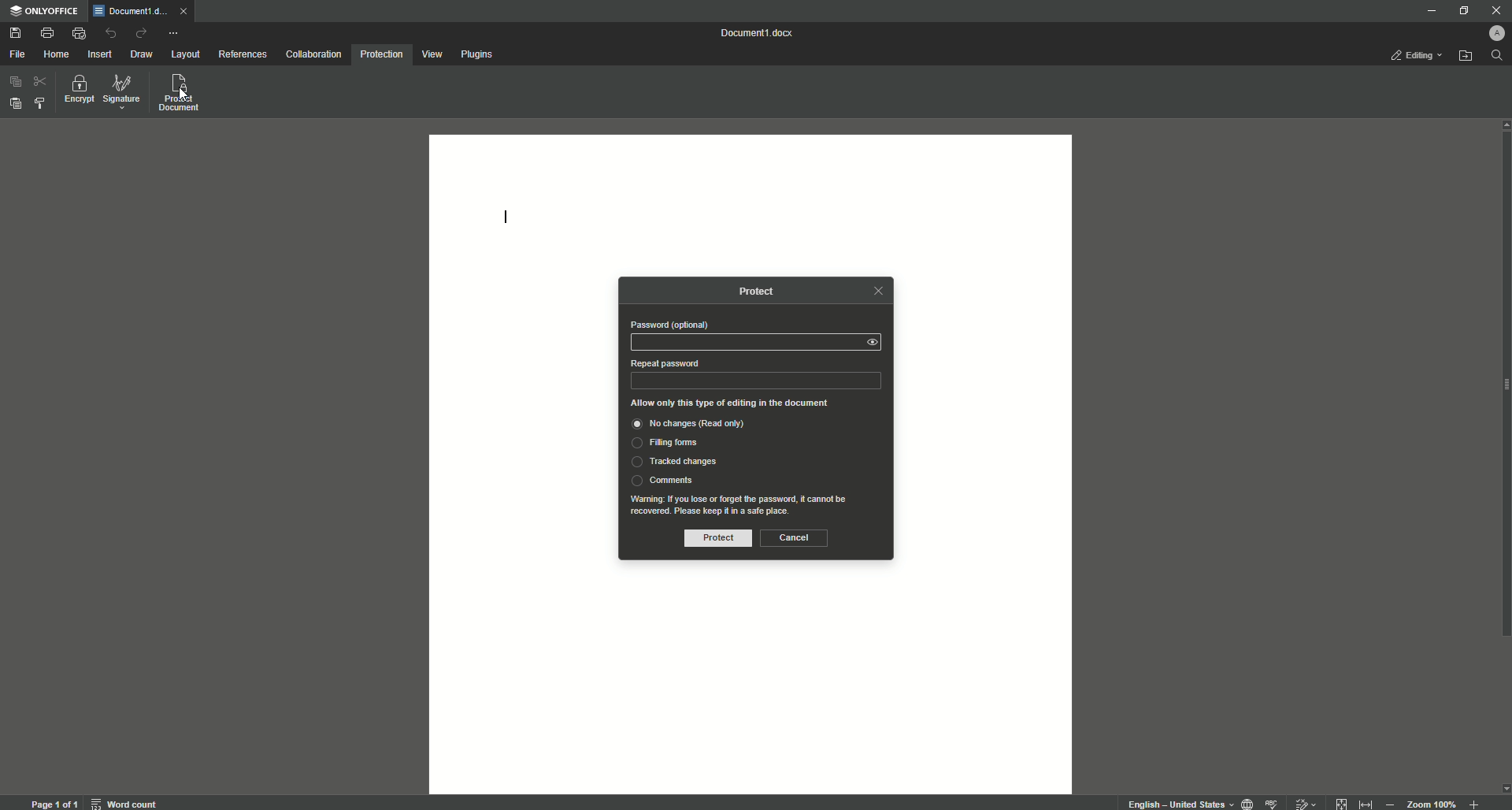  Describe the element at coordinates (1364, 803) in the screenshot. I see `fit to width` at that location.